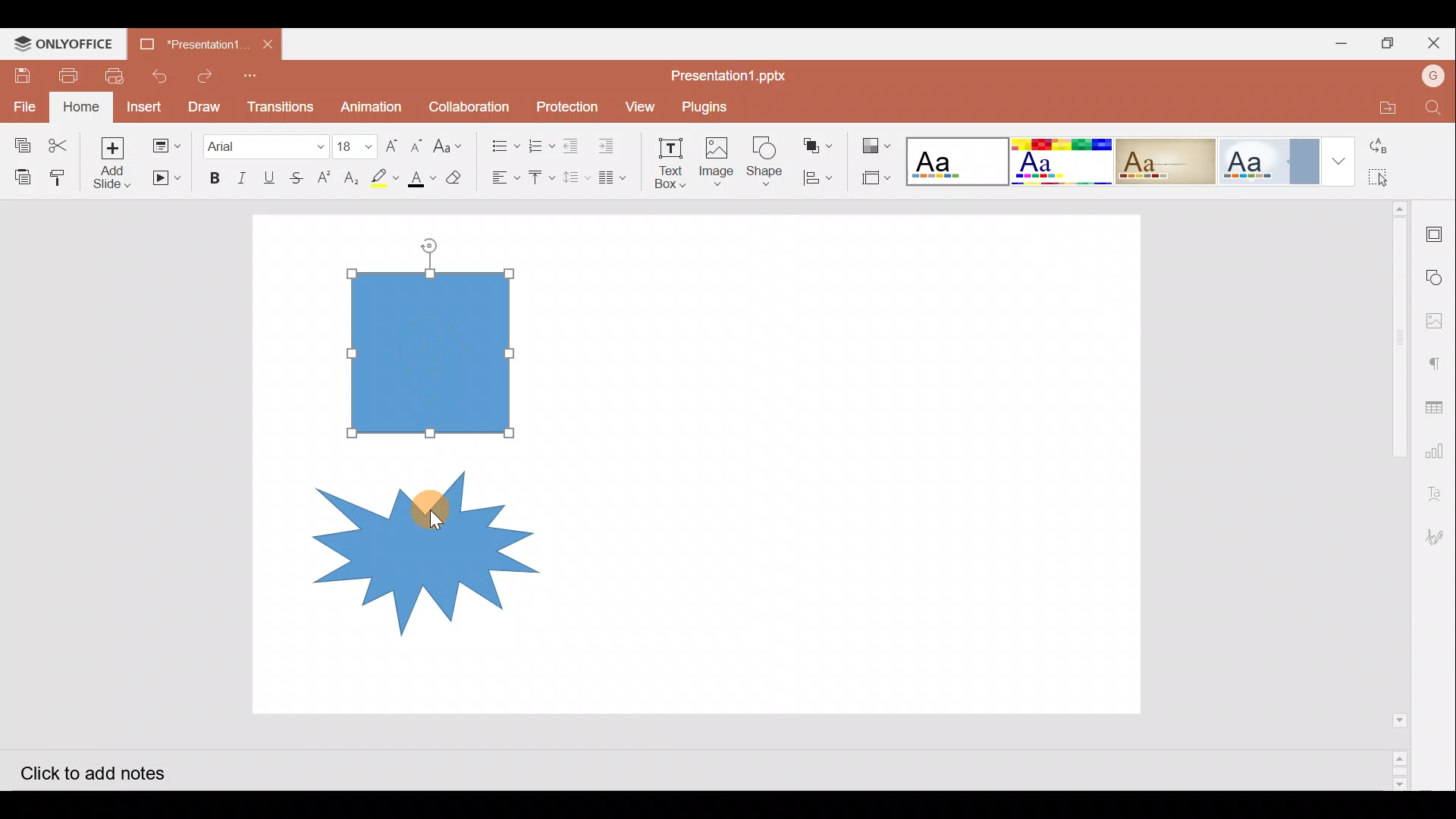 This screenshot has height=819, width=1456. Describe the element at coordinates (1439, 406) in the screenshot. I see `Table settings` at that location.